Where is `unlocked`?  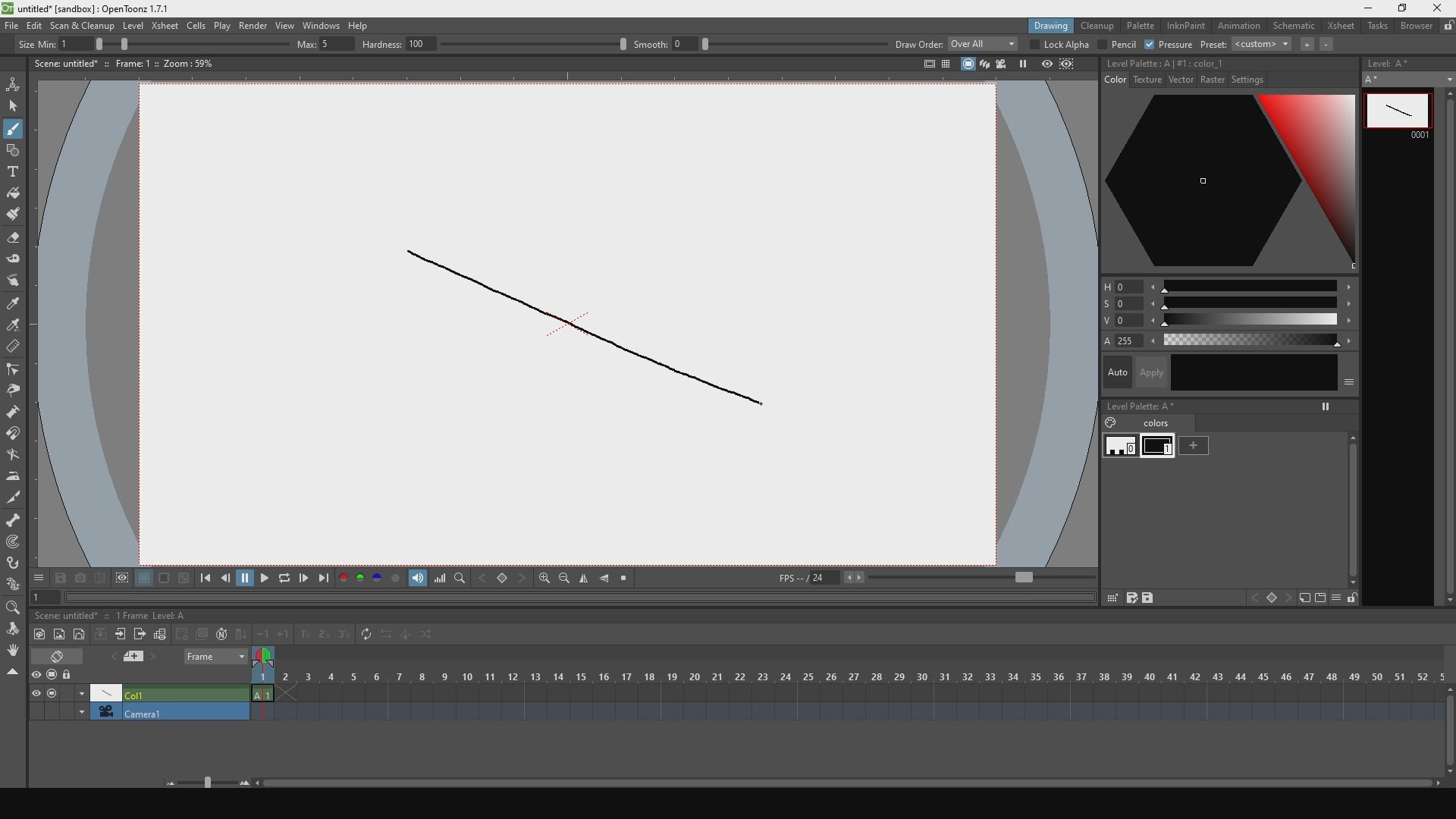 unlocked is located at coordinates (1350, 598).